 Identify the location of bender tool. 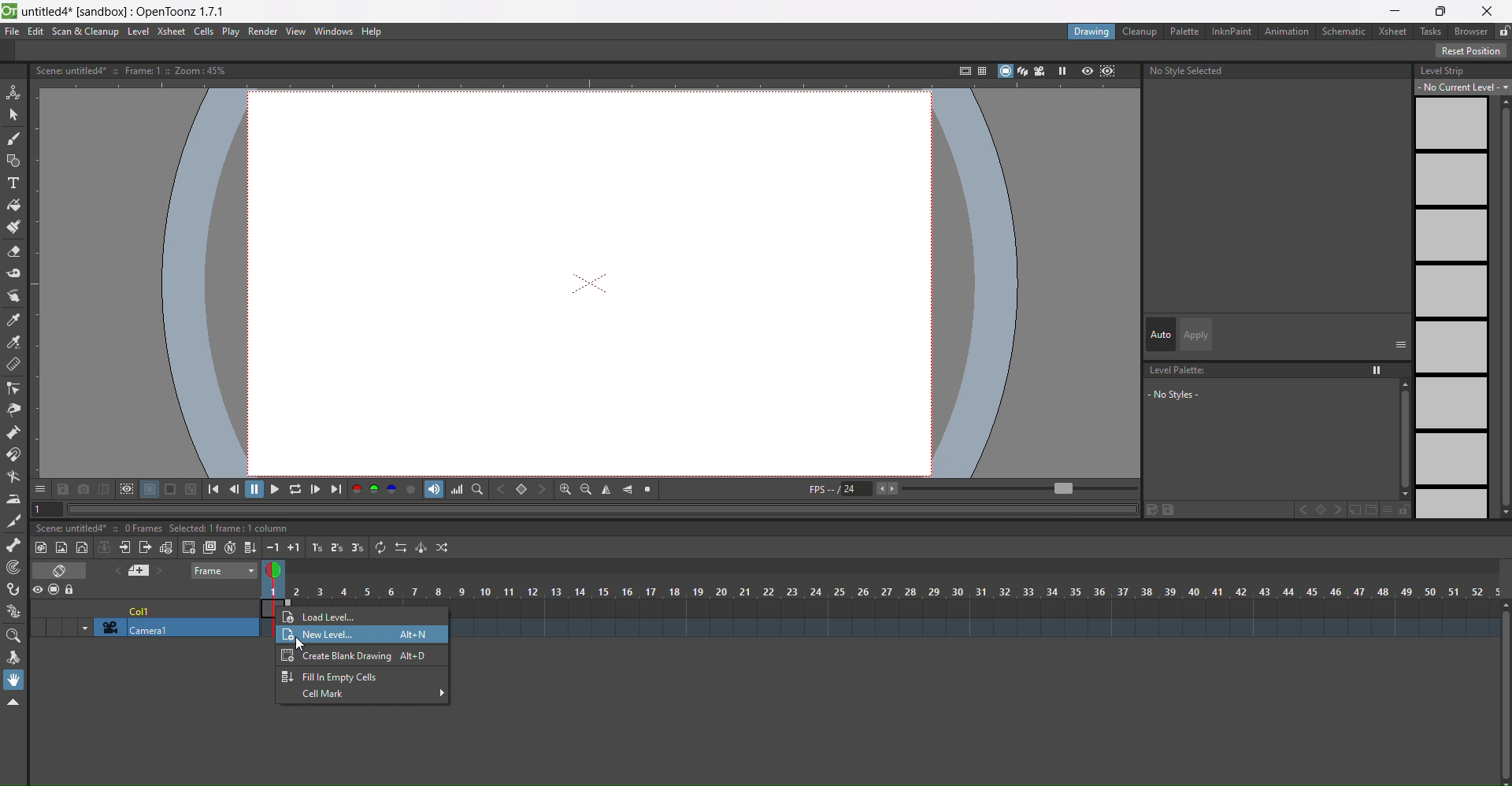
(14, 477).